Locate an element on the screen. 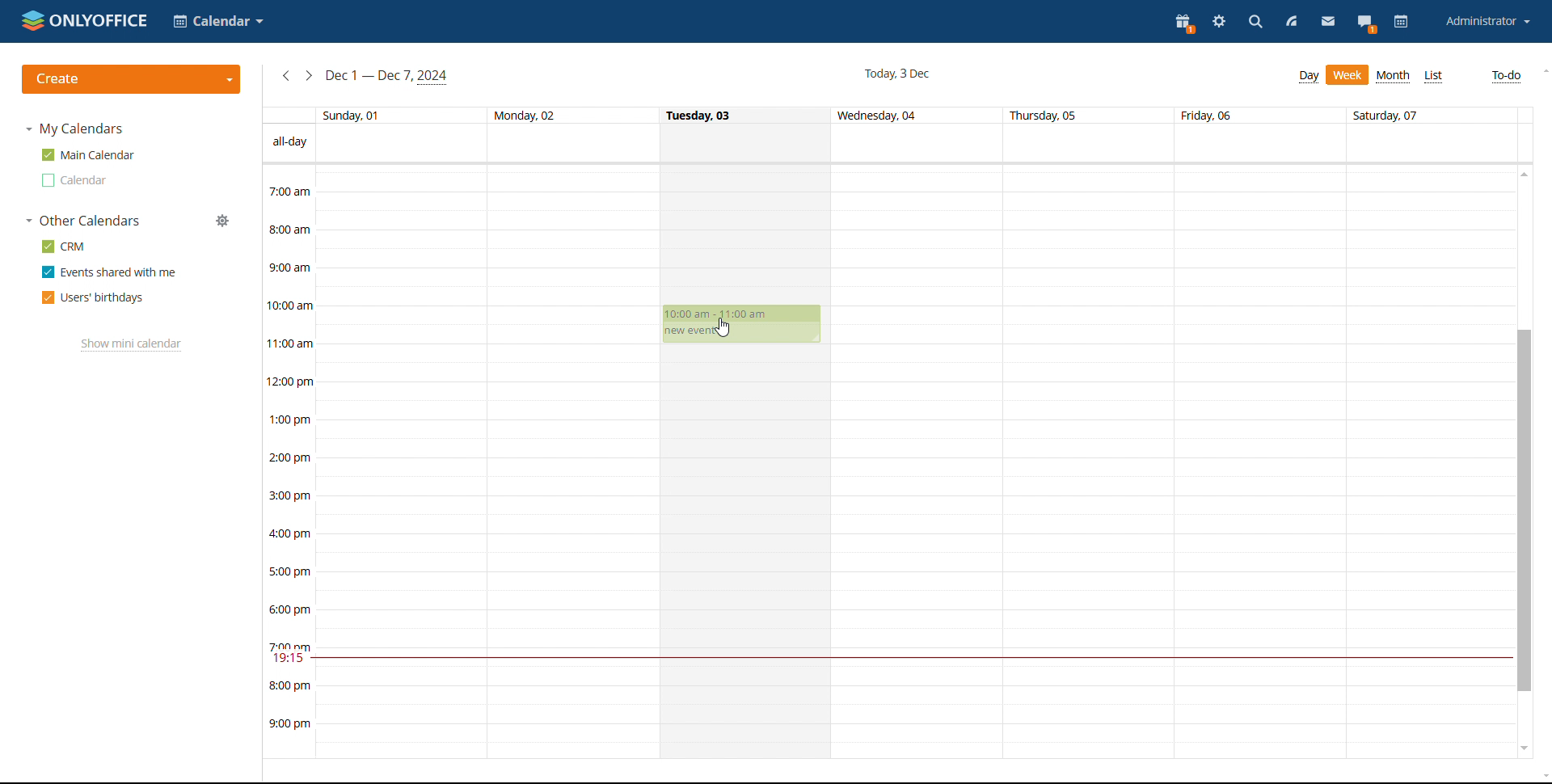 Image resolution: width=1552 pixels, height=784 pixels. Users' birthdays is located at coordinates (91, 297).